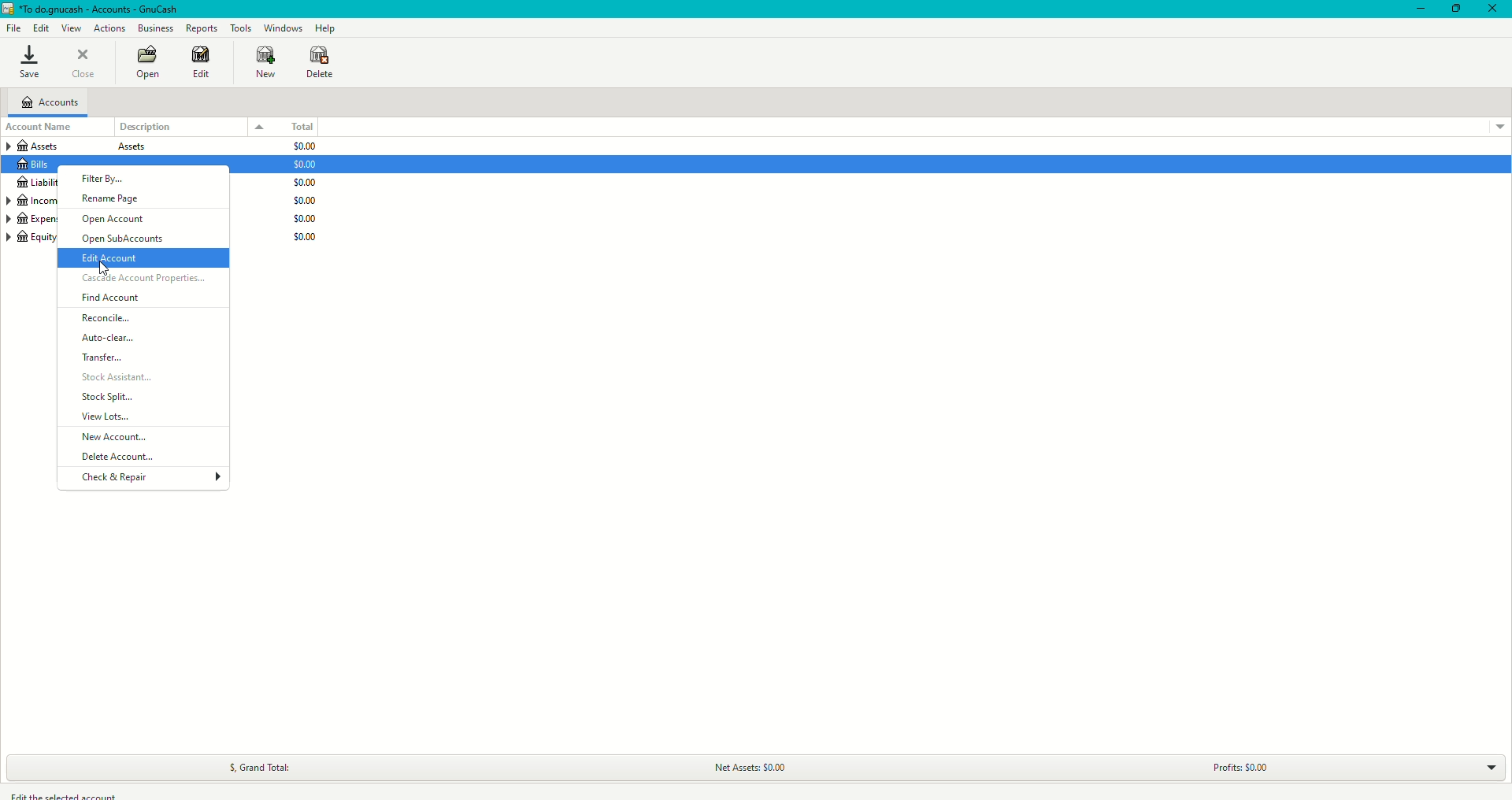 The height and width of the screenshot is (800, 1512). What do you see at coordinates (120, 476) in the screenshot?
I see `Check and Repair` at bounding box center [120, 476].